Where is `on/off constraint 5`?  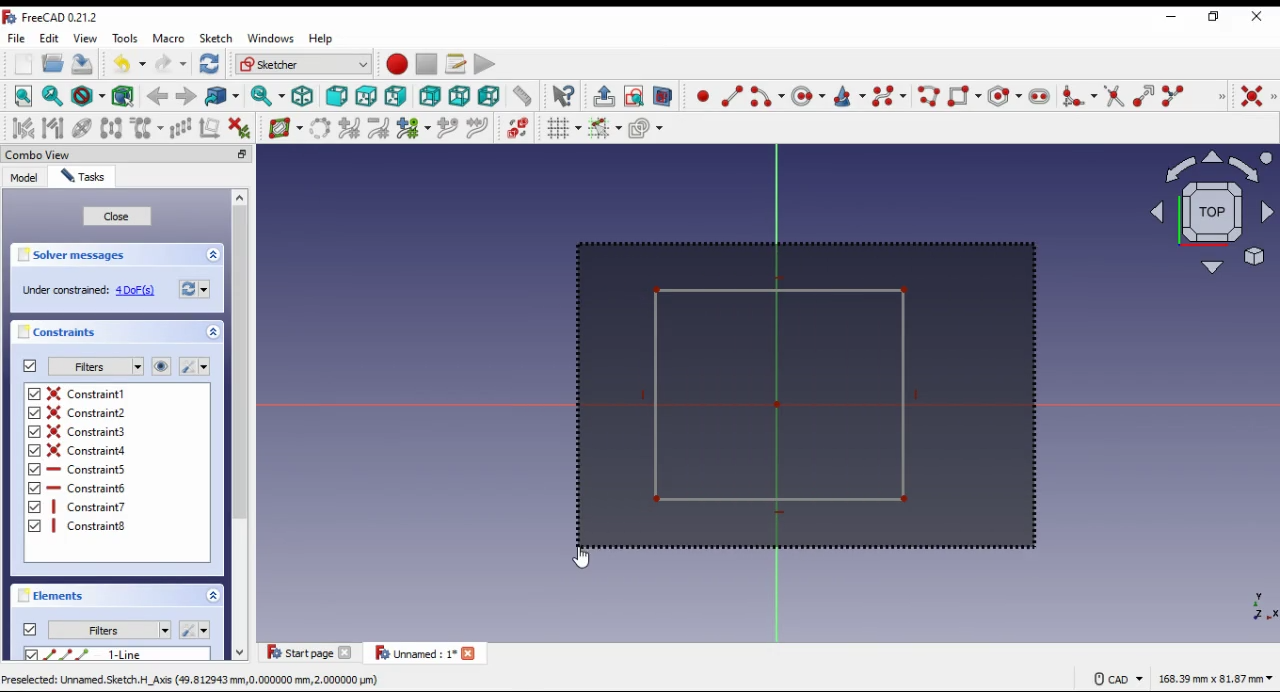 on/off constraint 5 is located at coordinates (90, 469).